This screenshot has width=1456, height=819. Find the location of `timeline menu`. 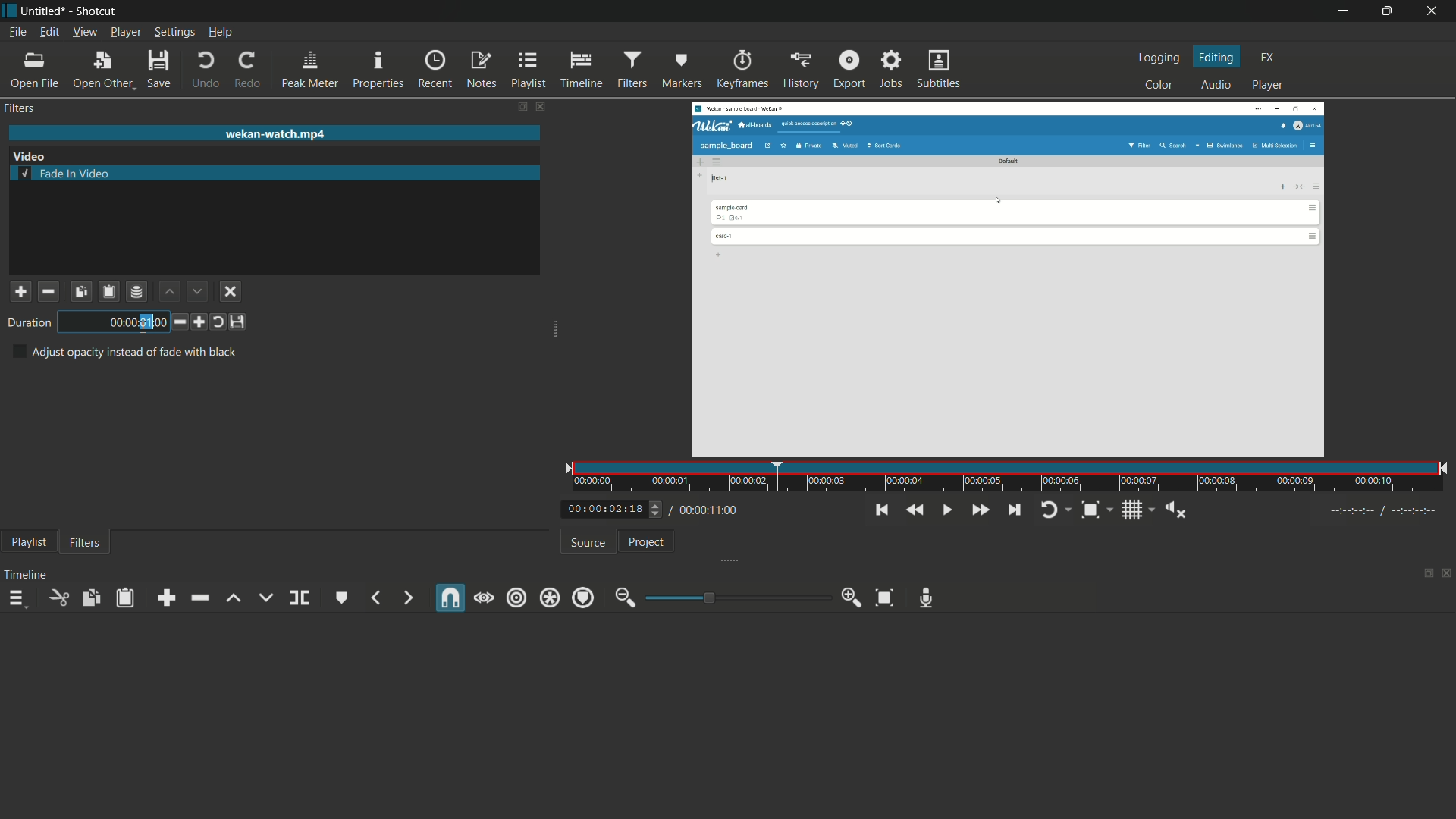

timeline menu is located at coordinates (17, 598).